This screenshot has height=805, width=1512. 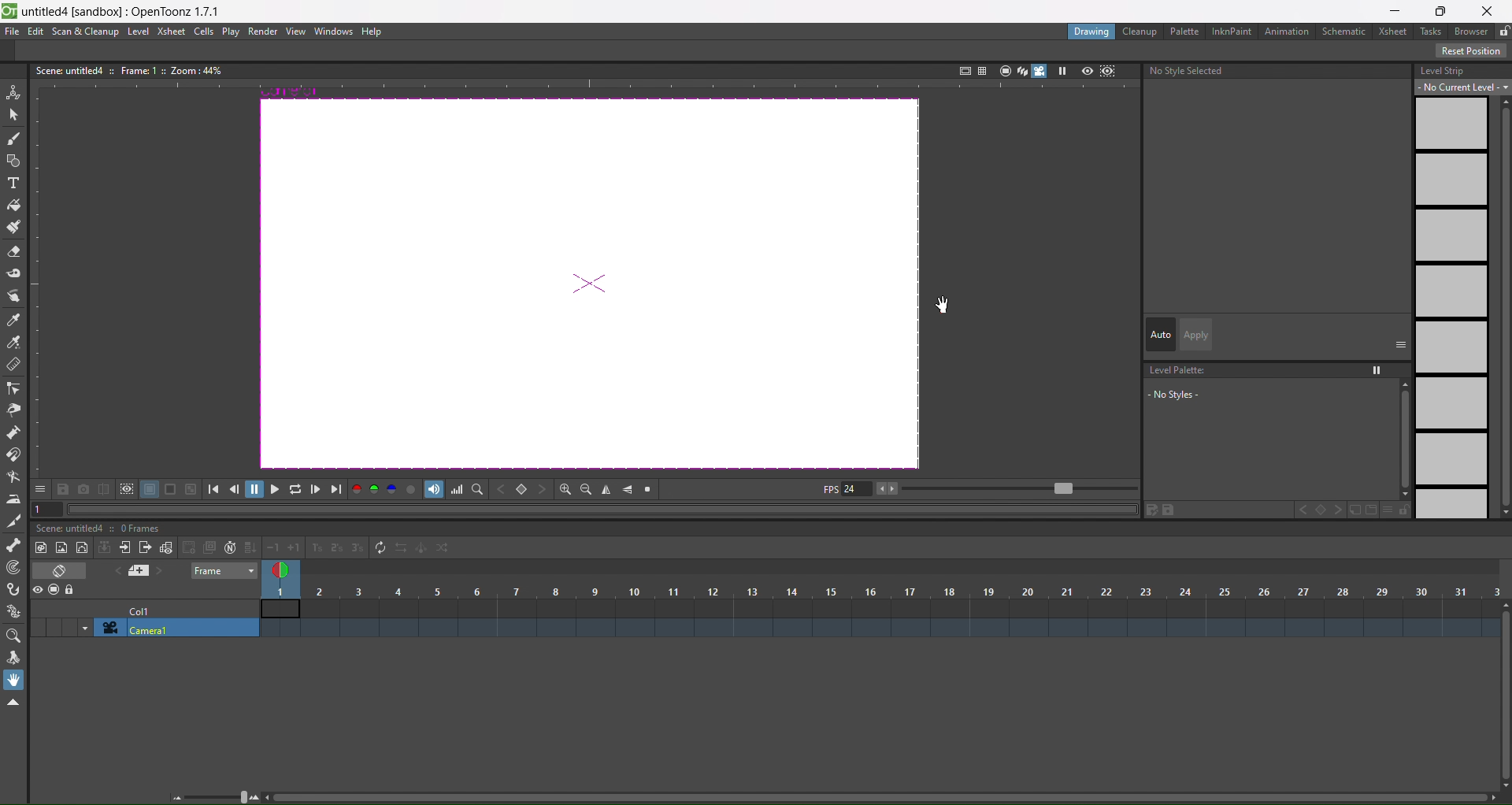 What do you see at coordinates (981, 69) in the screenshot?
I see `field guide` at bounding box center [981, 69].